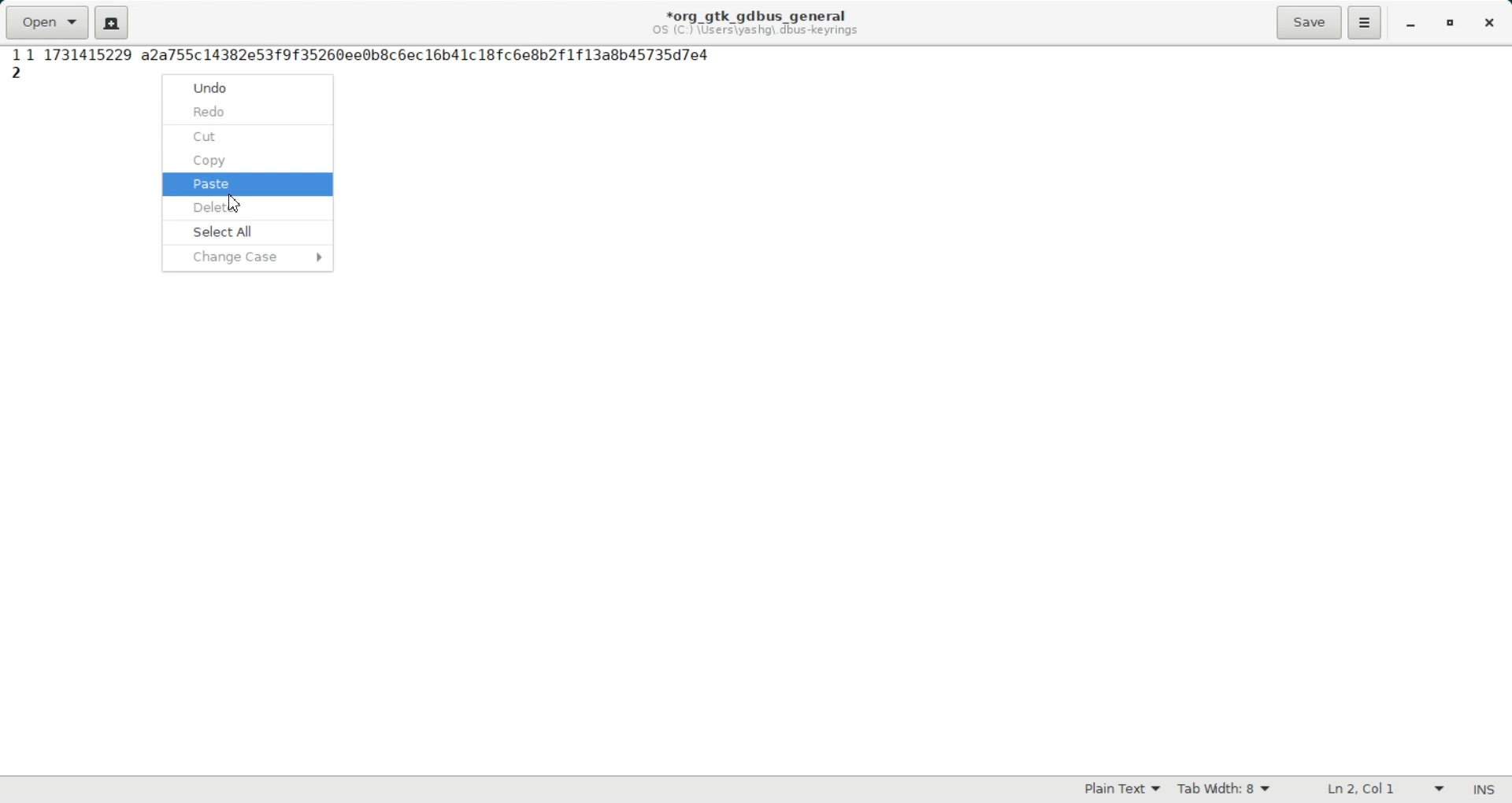 The width and height of the screenshot is (1512, 803). I want to click on Text information , so click(755, 22).